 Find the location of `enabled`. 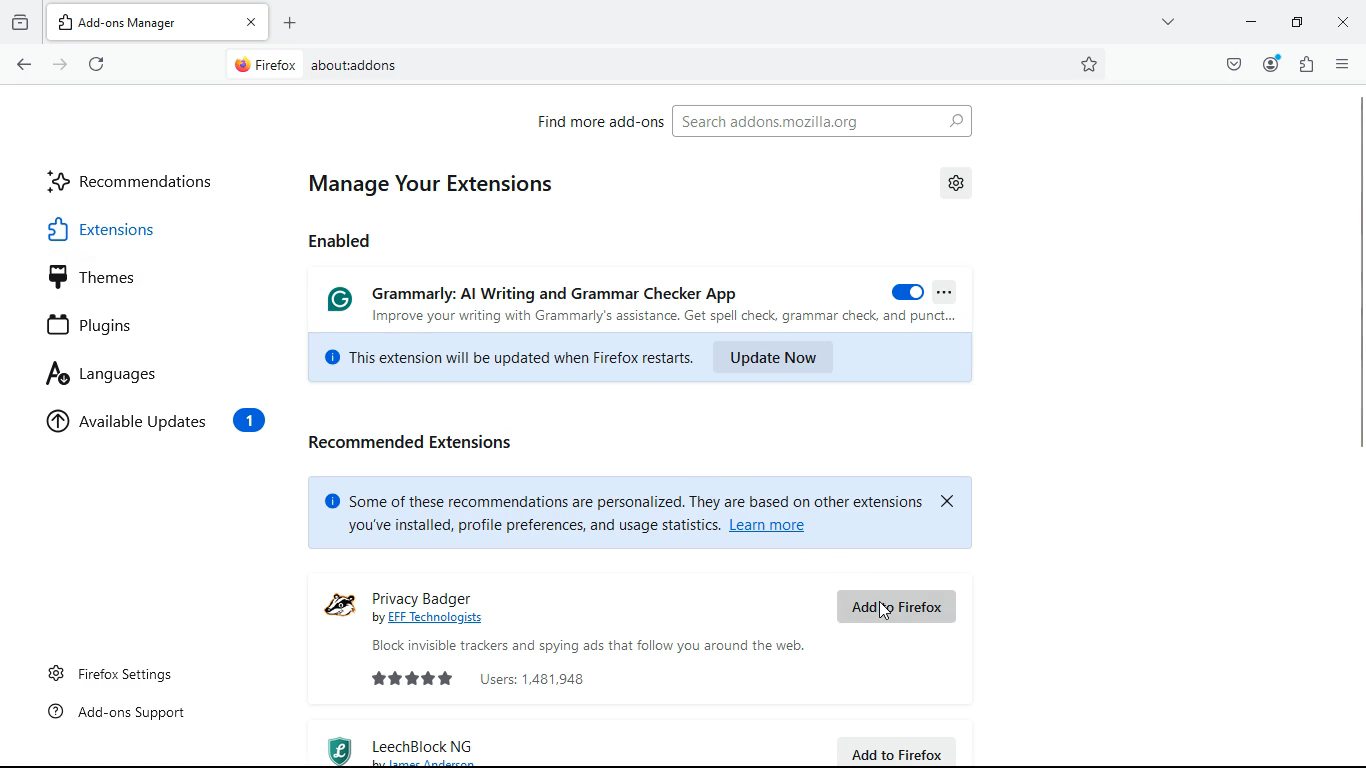

enabled is located at coordinates (345, 240).